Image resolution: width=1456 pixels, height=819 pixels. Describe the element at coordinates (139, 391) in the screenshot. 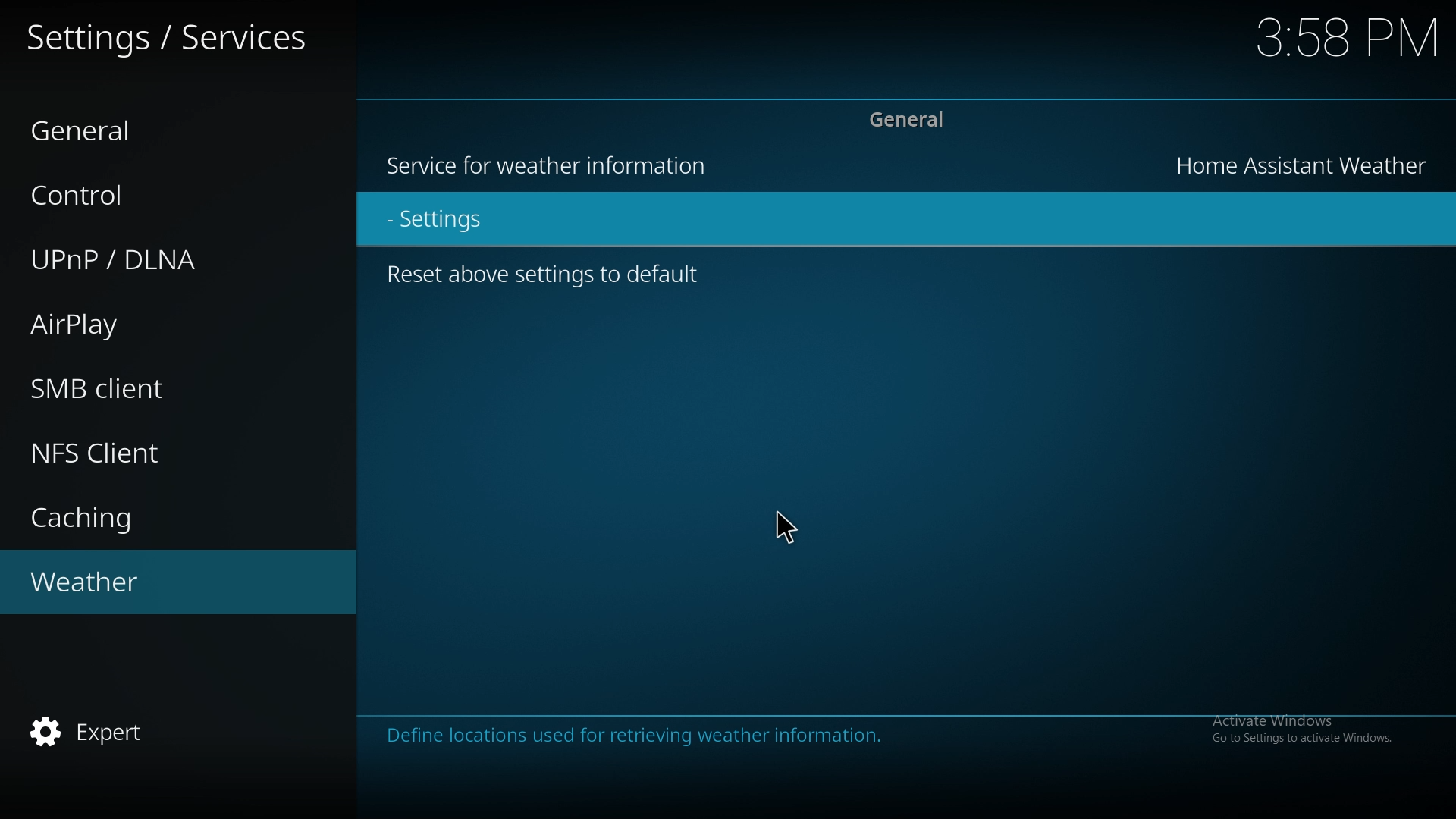

I see `SMB client` at that location.